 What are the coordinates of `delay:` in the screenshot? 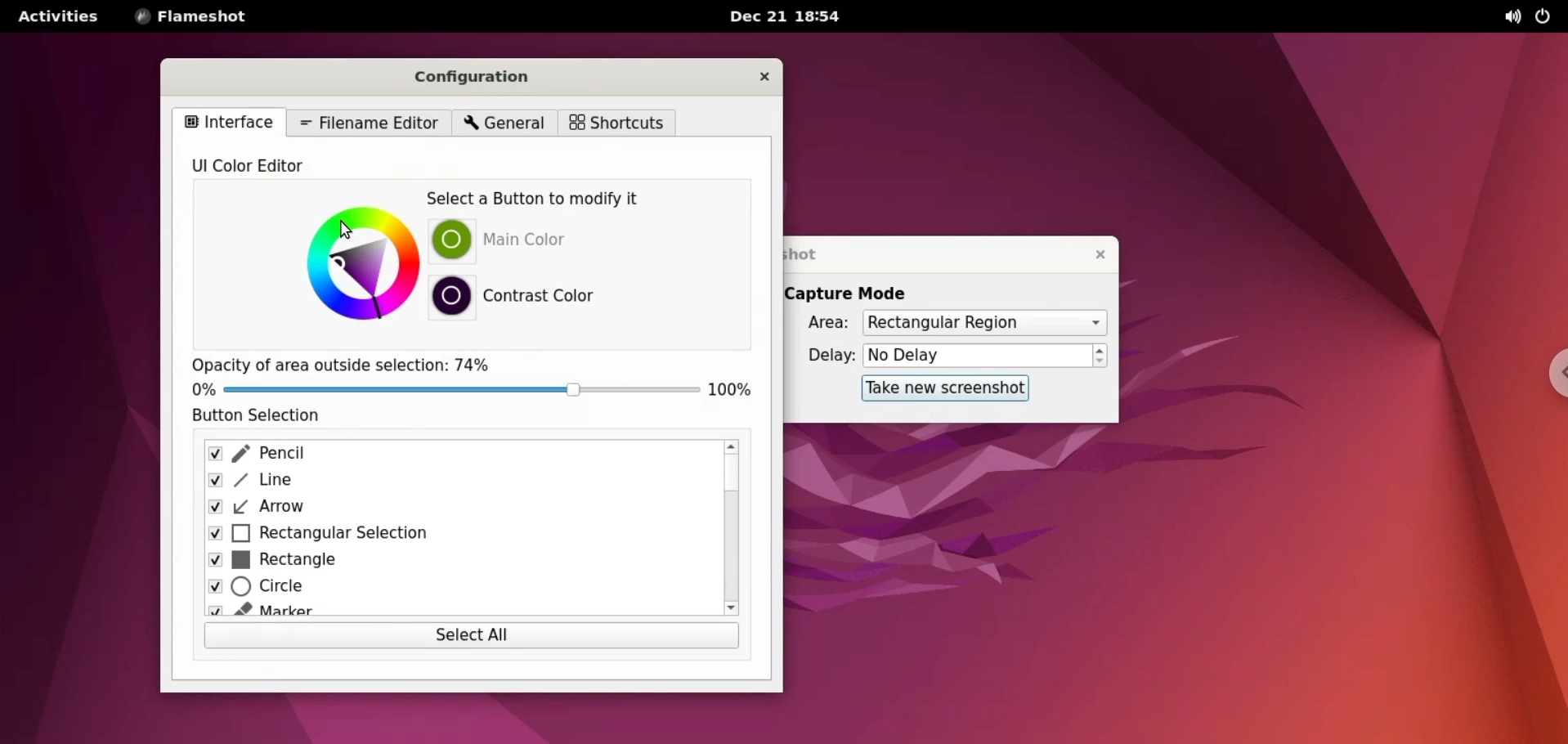 It's located at (822, 358).